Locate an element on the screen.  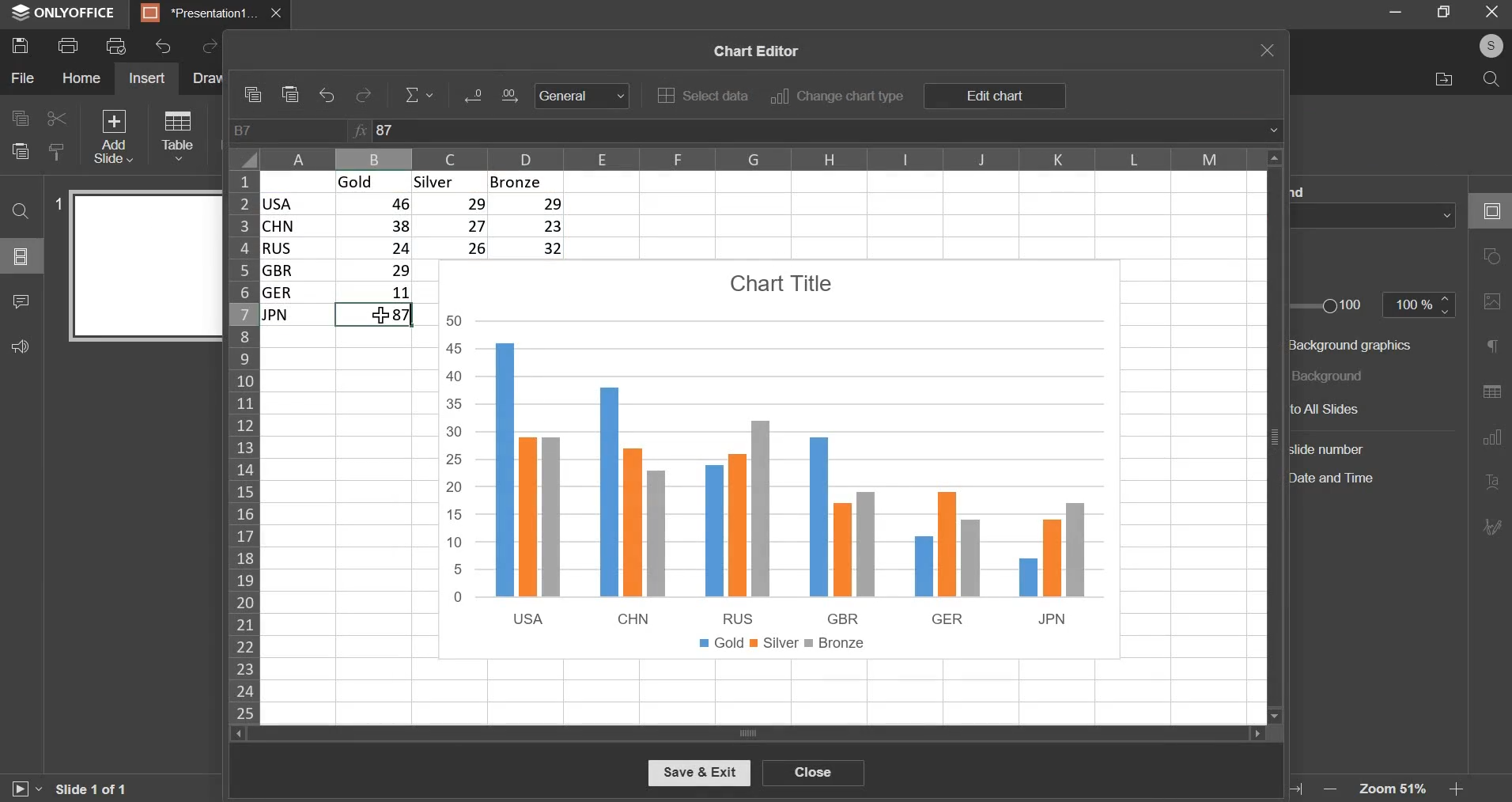
chart is located at coordinates (780, 486).